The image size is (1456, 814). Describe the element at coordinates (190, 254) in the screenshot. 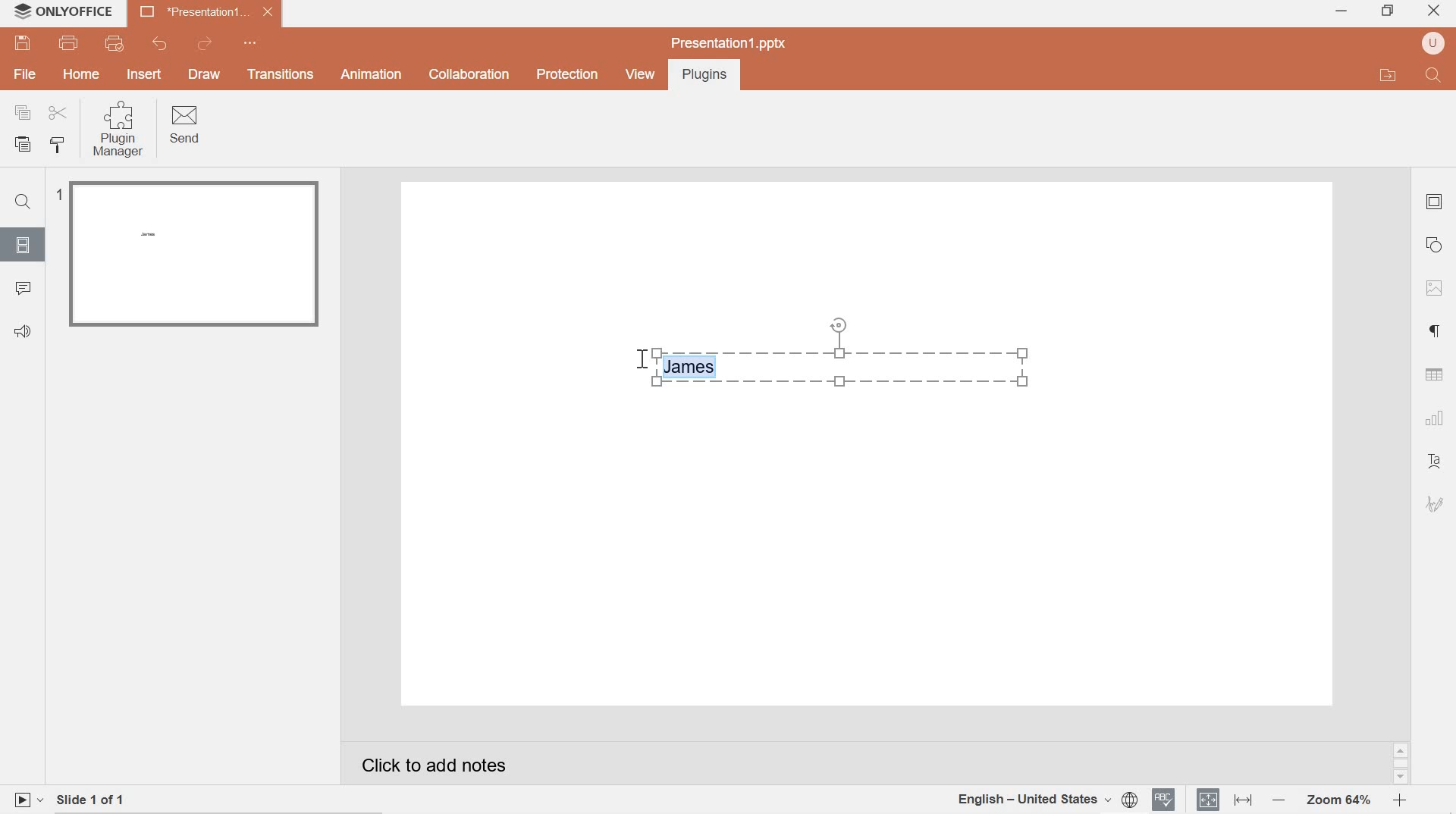

I see `slide 1` at that location.